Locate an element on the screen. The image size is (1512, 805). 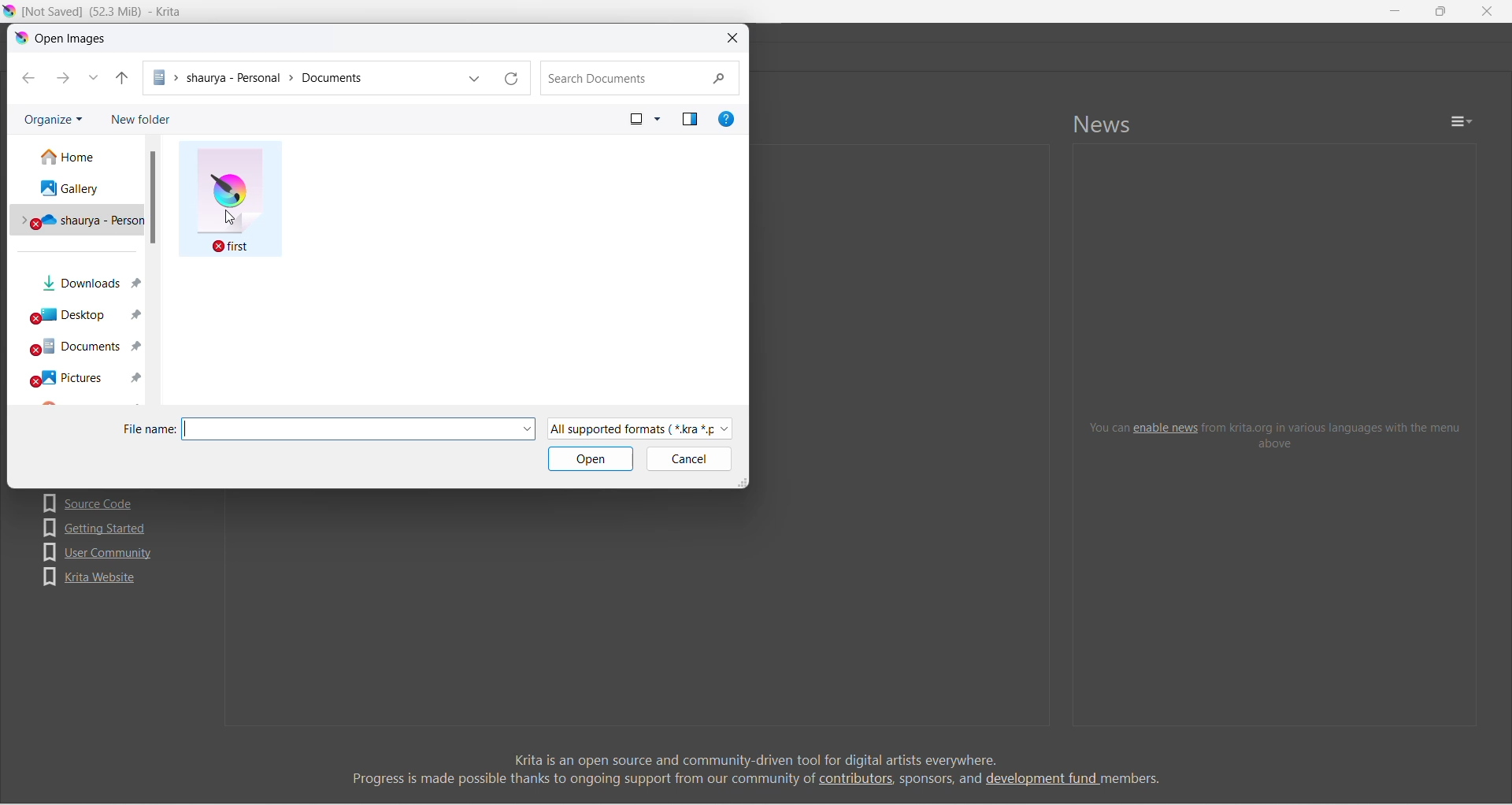
close is located at coordinates (1487, 11).